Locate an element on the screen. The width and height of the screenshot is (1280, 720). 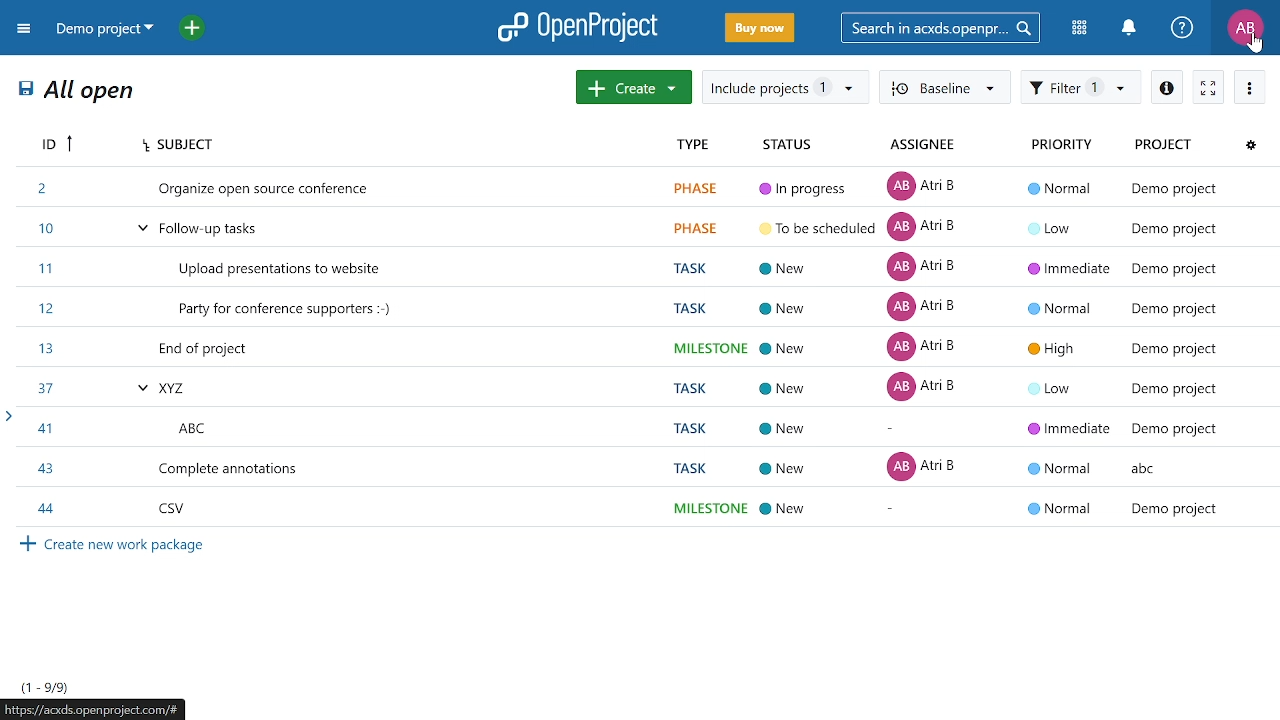
Buy Now is located at coordinates (760, 29).